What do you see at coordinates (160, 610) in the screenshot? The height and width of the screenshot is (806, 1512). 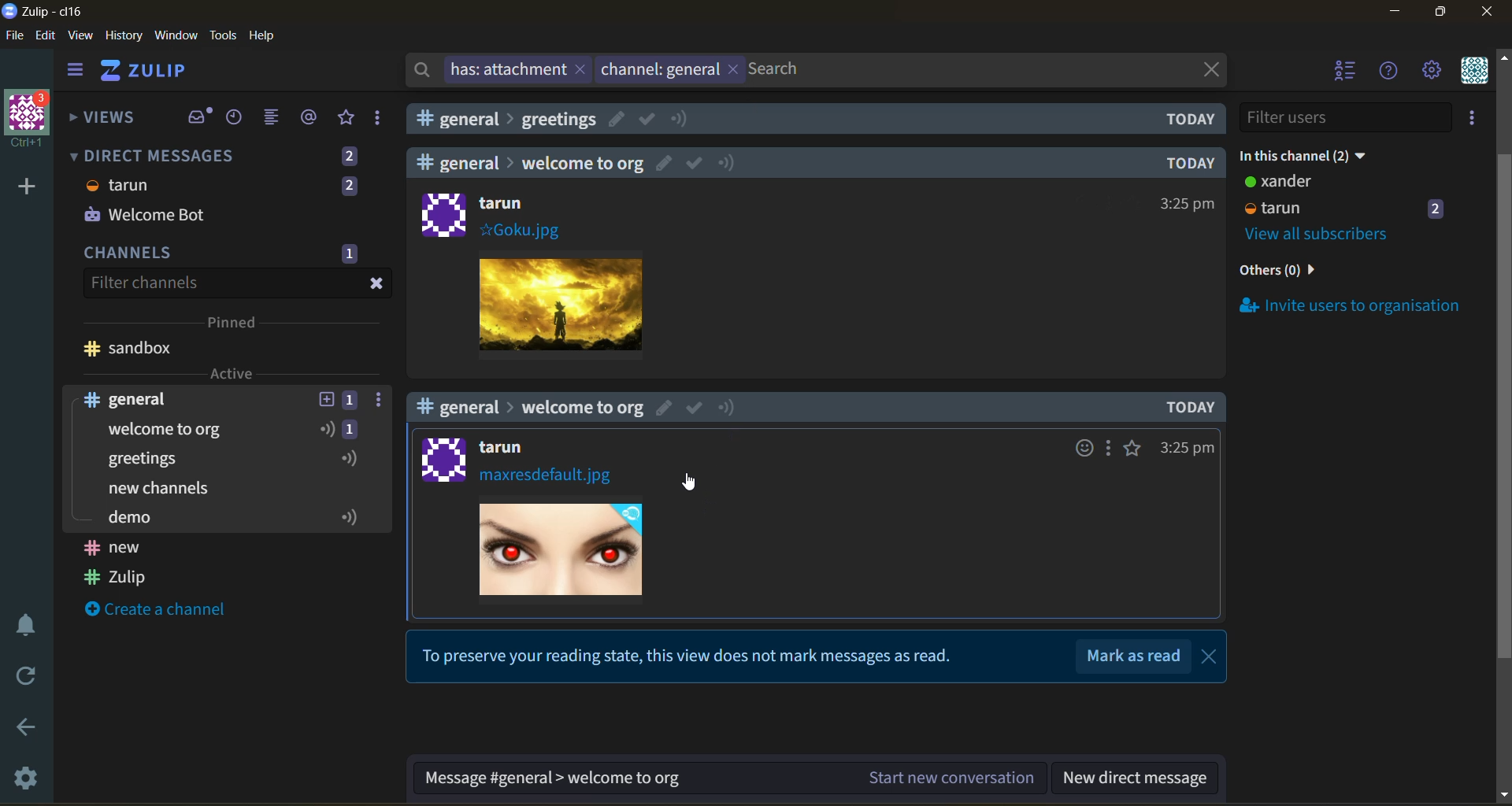 I see `Create a channel` at bounding box center [160, 610].